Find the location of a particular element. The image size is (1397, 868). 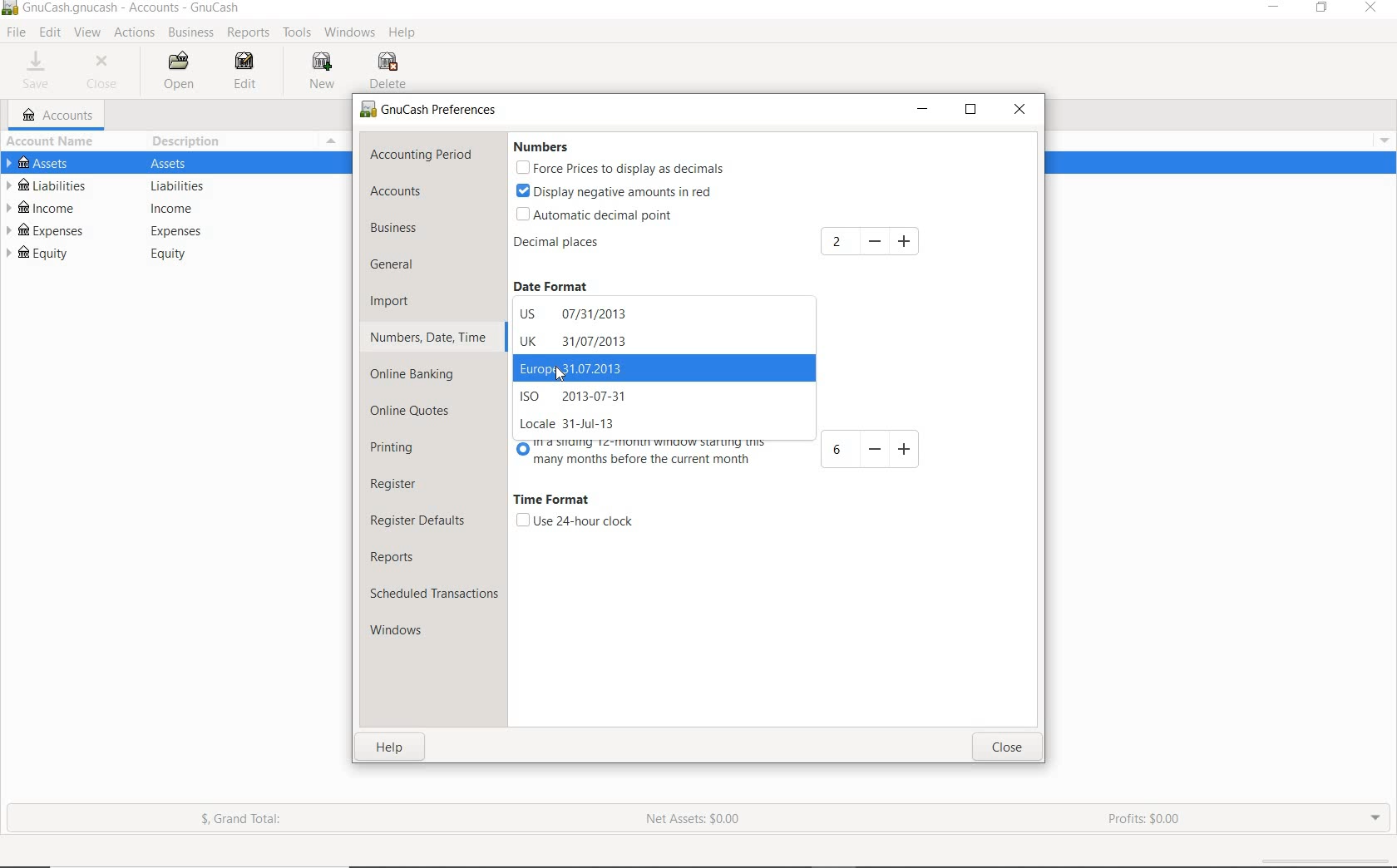

NEW is located at coordinates (325, 71).